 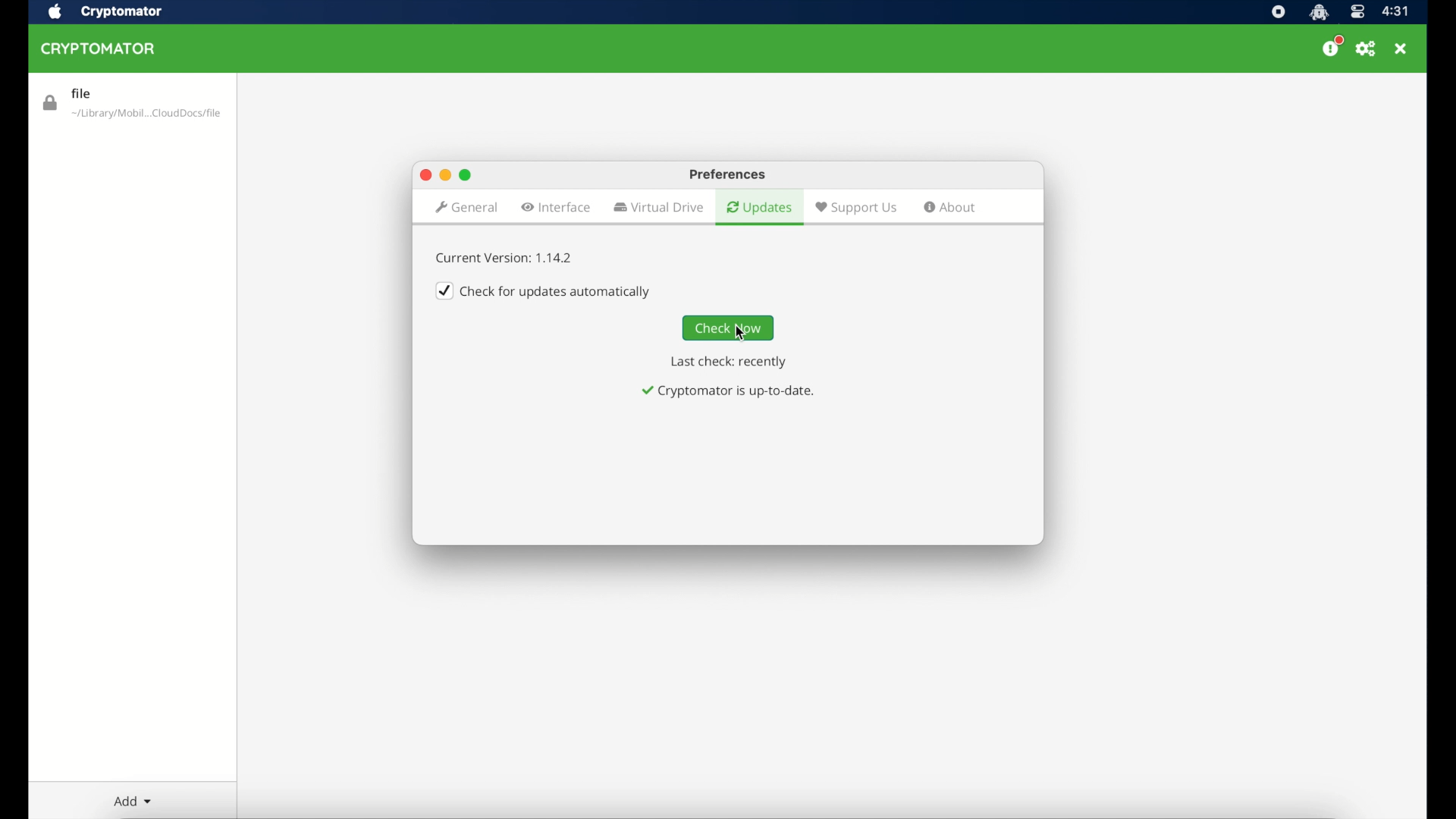 What do you see at coordinates (951, 208) in the screenshot?
I see `about` at bounding box center [951, 208].